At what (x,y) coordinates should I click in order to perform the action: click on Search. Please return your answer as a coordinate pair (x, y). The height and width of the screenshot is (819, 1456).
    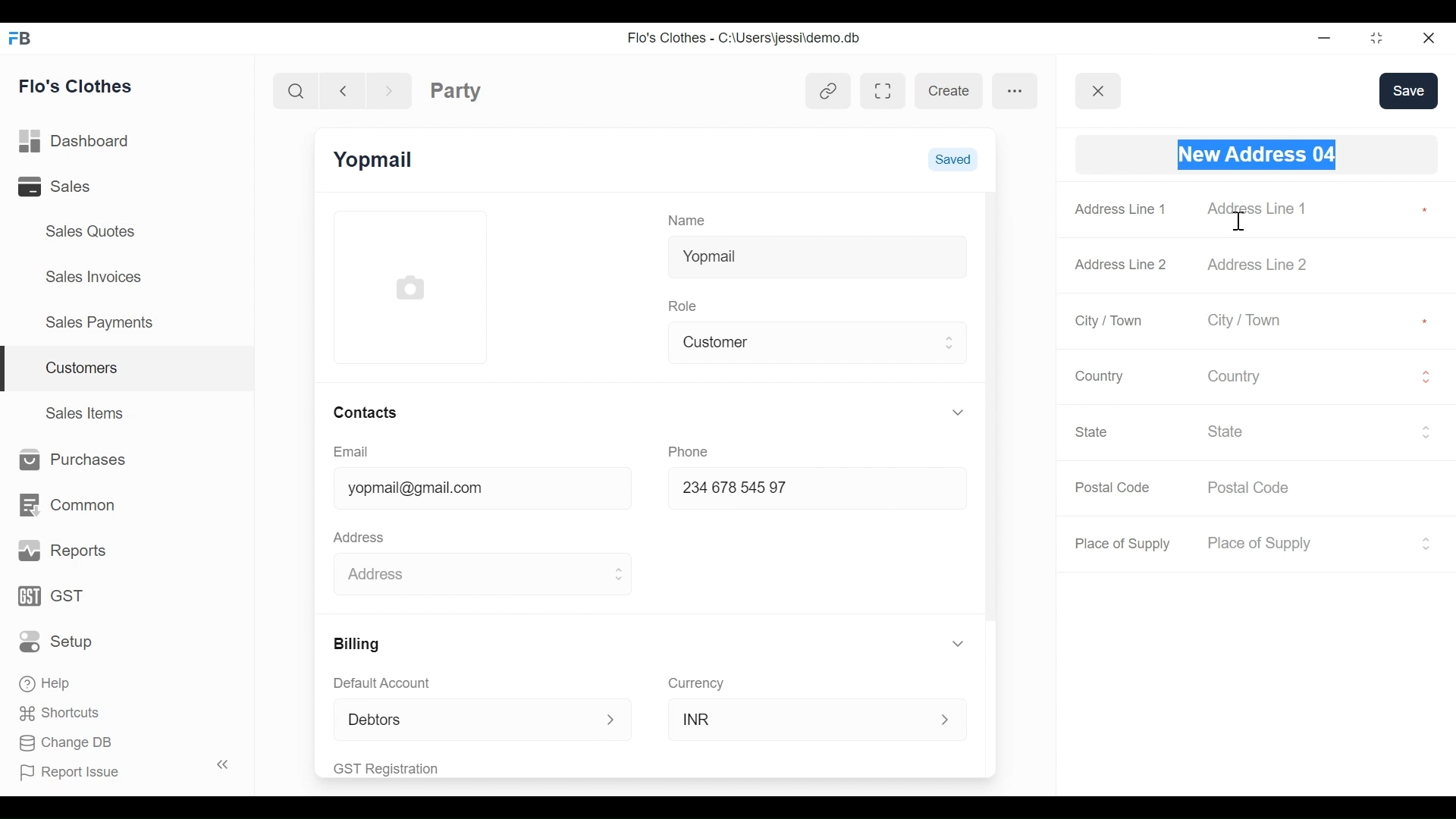
    Looking at the image, I should click on (299, 90).